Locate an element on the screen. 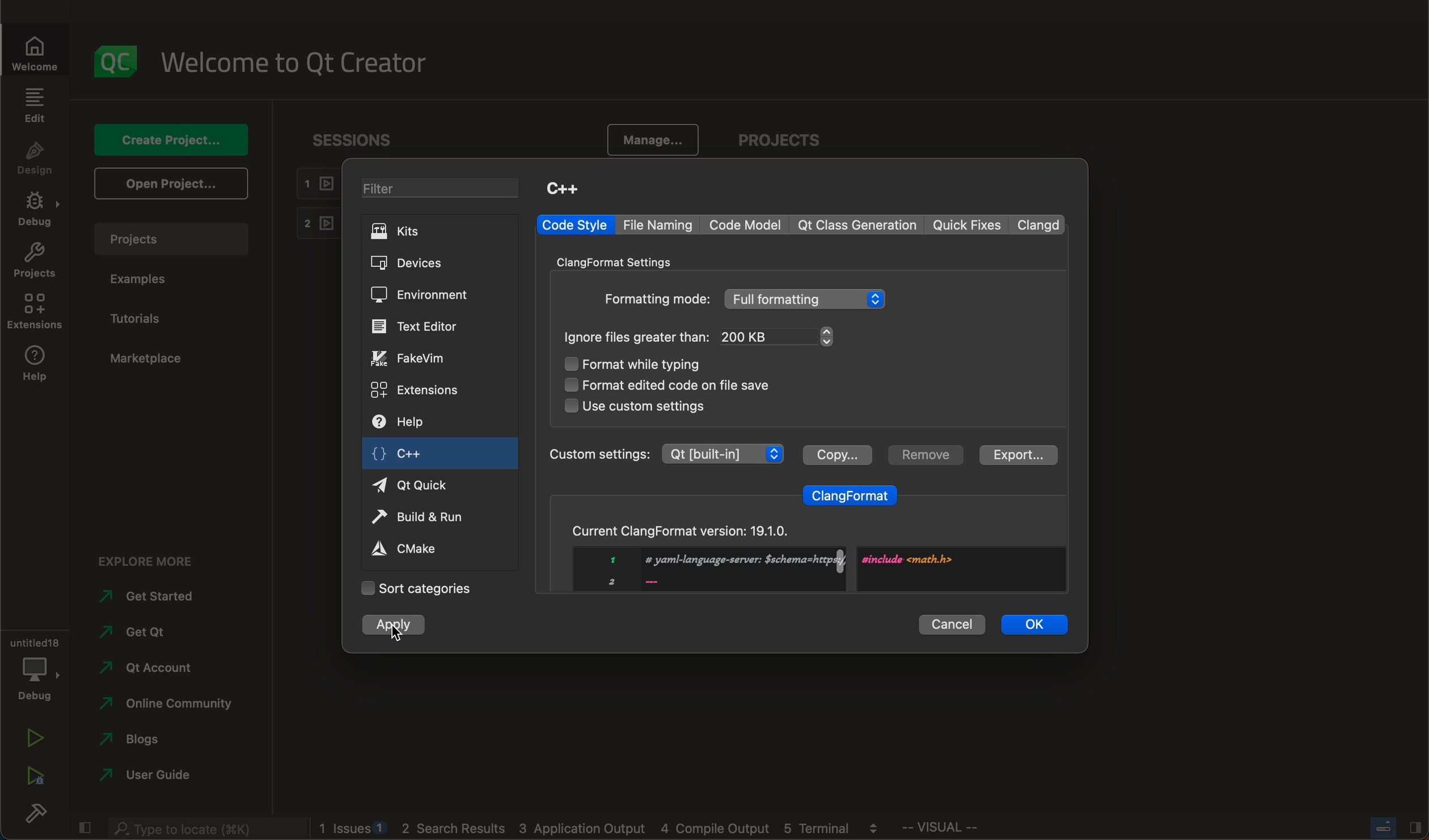 The image size is (1429, 840). close slide bar is located at coordinates (1394, 827).